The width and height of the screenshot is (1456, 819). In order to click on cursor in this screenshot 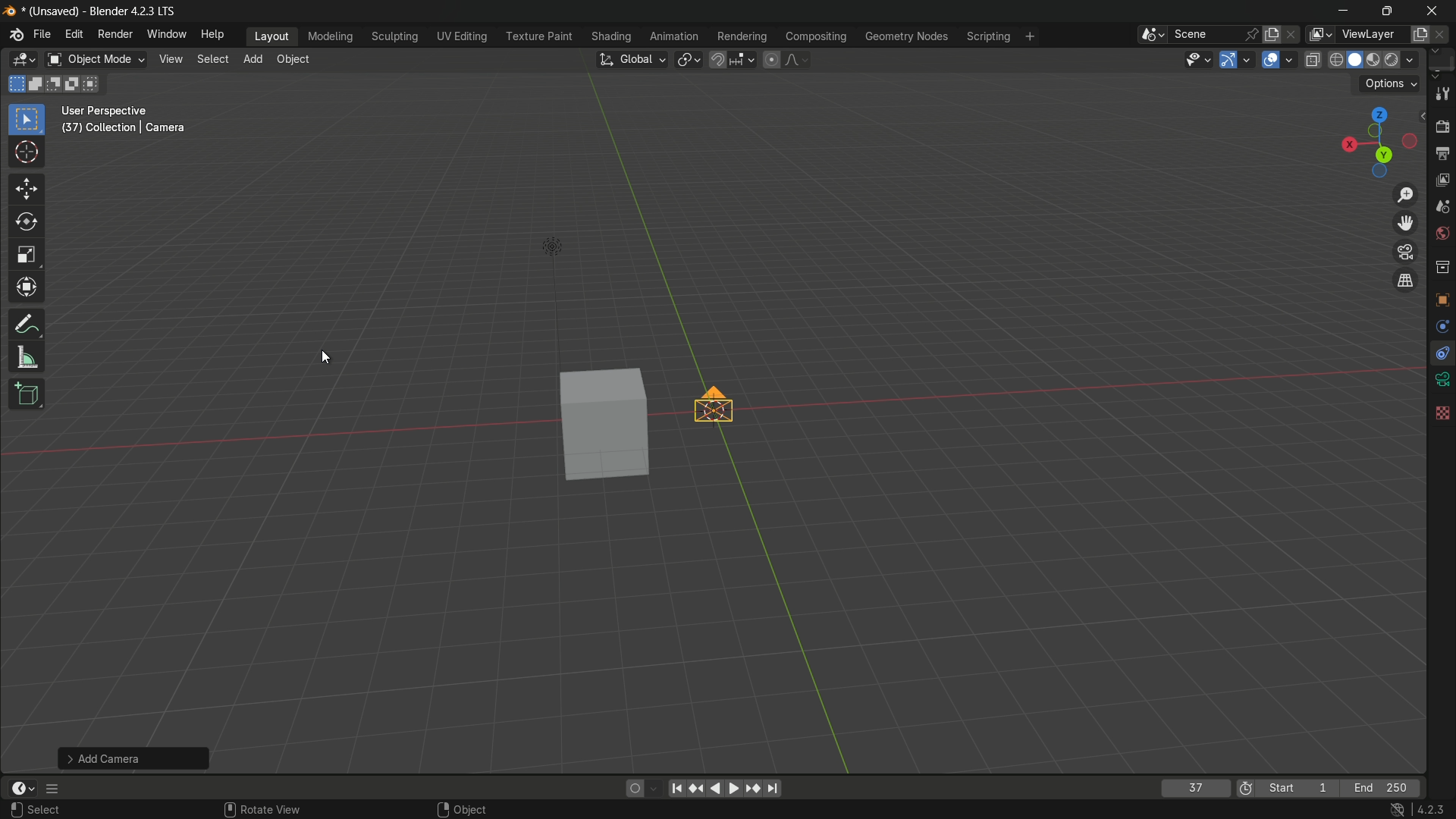, I will do `click(325, 352)`.